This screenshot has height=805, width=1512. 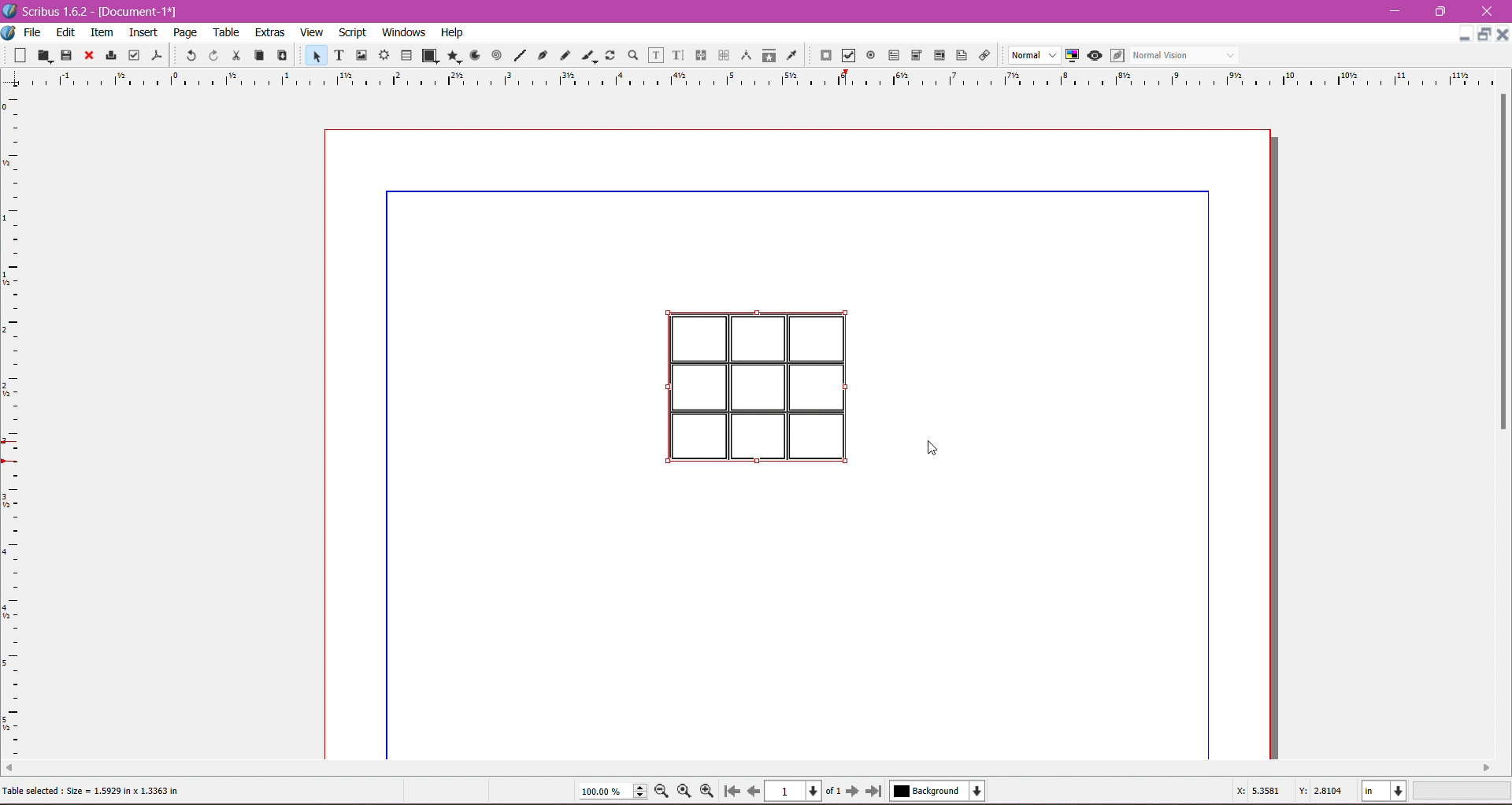 I want to click on Edit, so click(x=67, y=32).